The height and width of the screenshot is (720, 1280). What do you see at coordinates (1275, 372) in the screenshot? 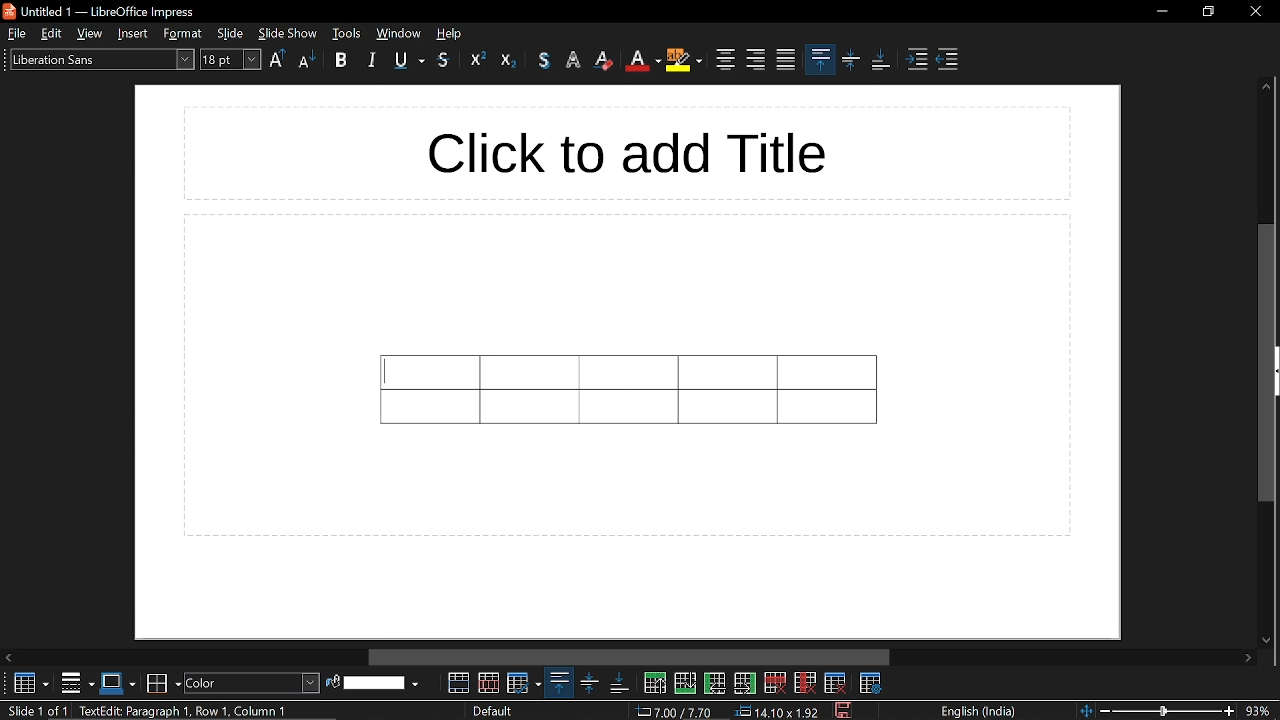
I see `expand sidebar` at bounding box center [1275, 372].